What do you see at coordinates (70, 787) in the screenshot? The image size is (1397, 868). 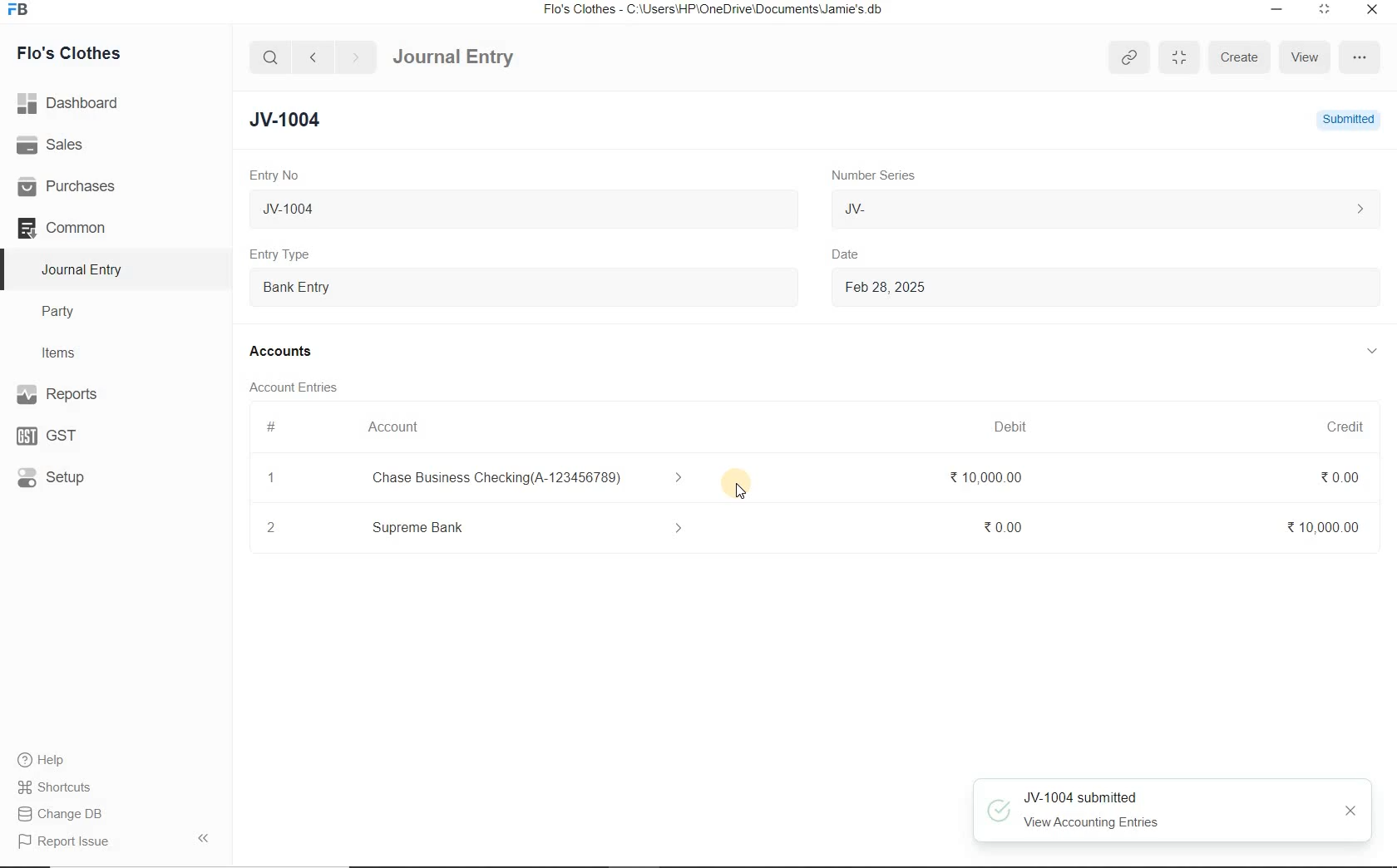 I see `Shortcuts` at bounding box center [70, 787].